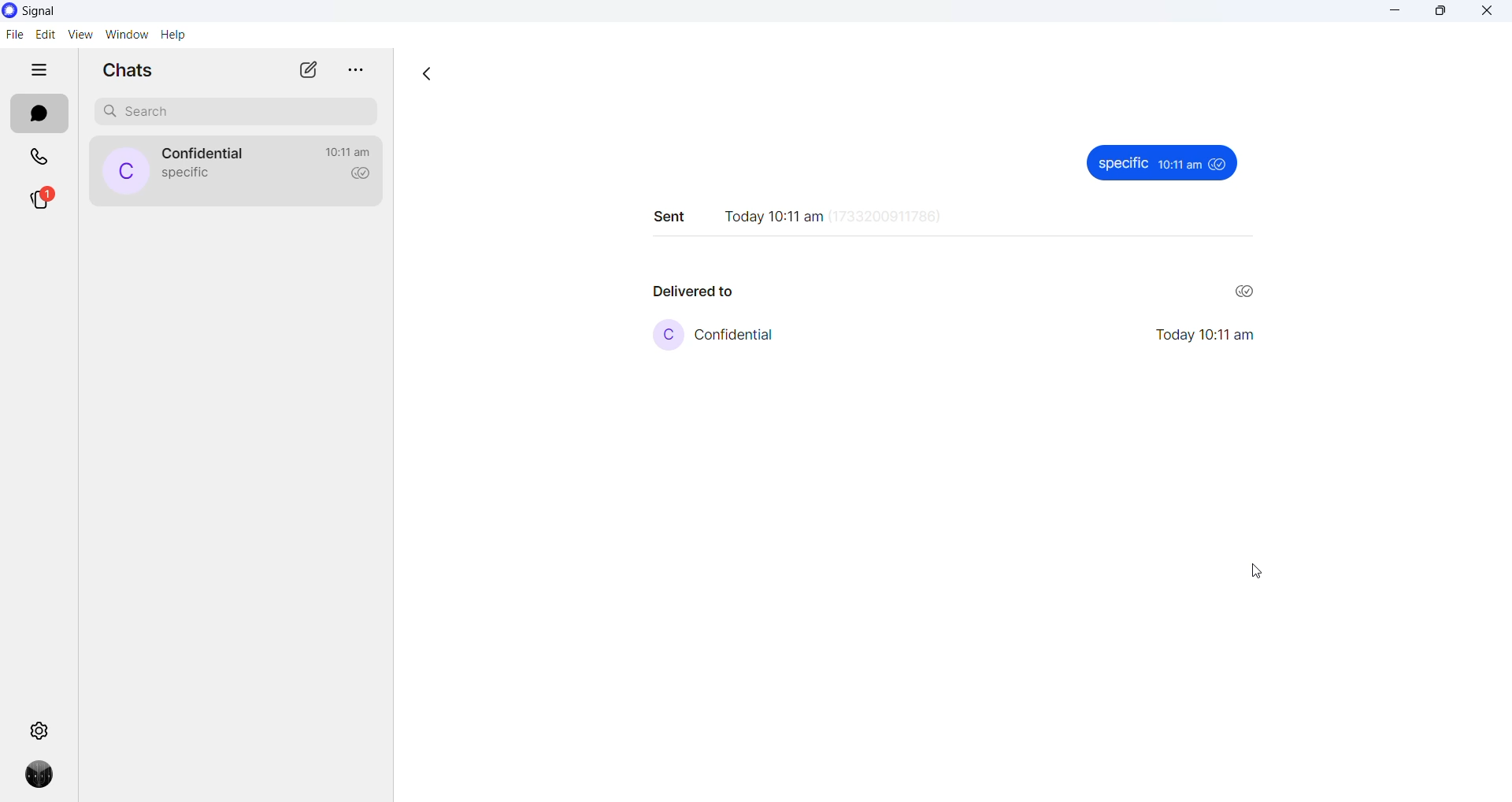  I want to click on seen, so click(1217, 165).